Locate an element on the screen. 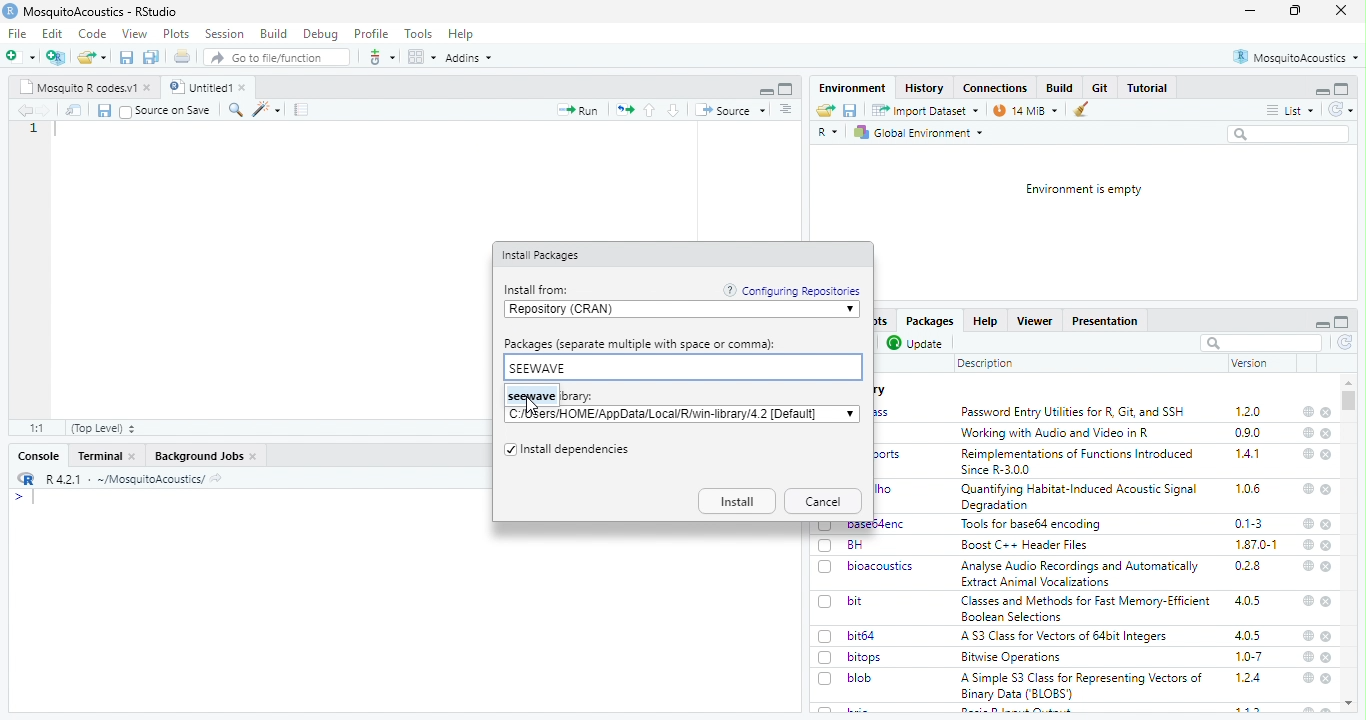 This screenshot has height=720, width=1366. checkbox is located at coordinates (825, 679).